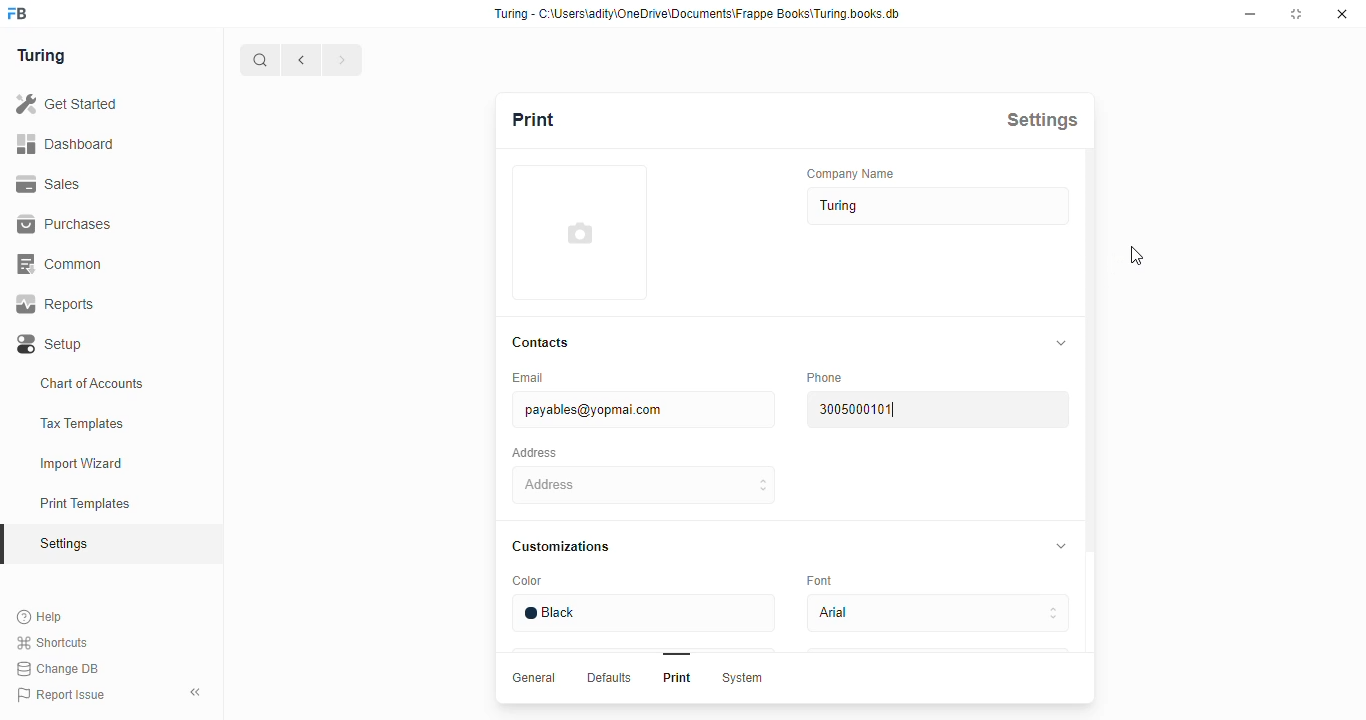  Describe the element at coordinates (60, 670) in the screenshot. I see `Change DB` at that location.